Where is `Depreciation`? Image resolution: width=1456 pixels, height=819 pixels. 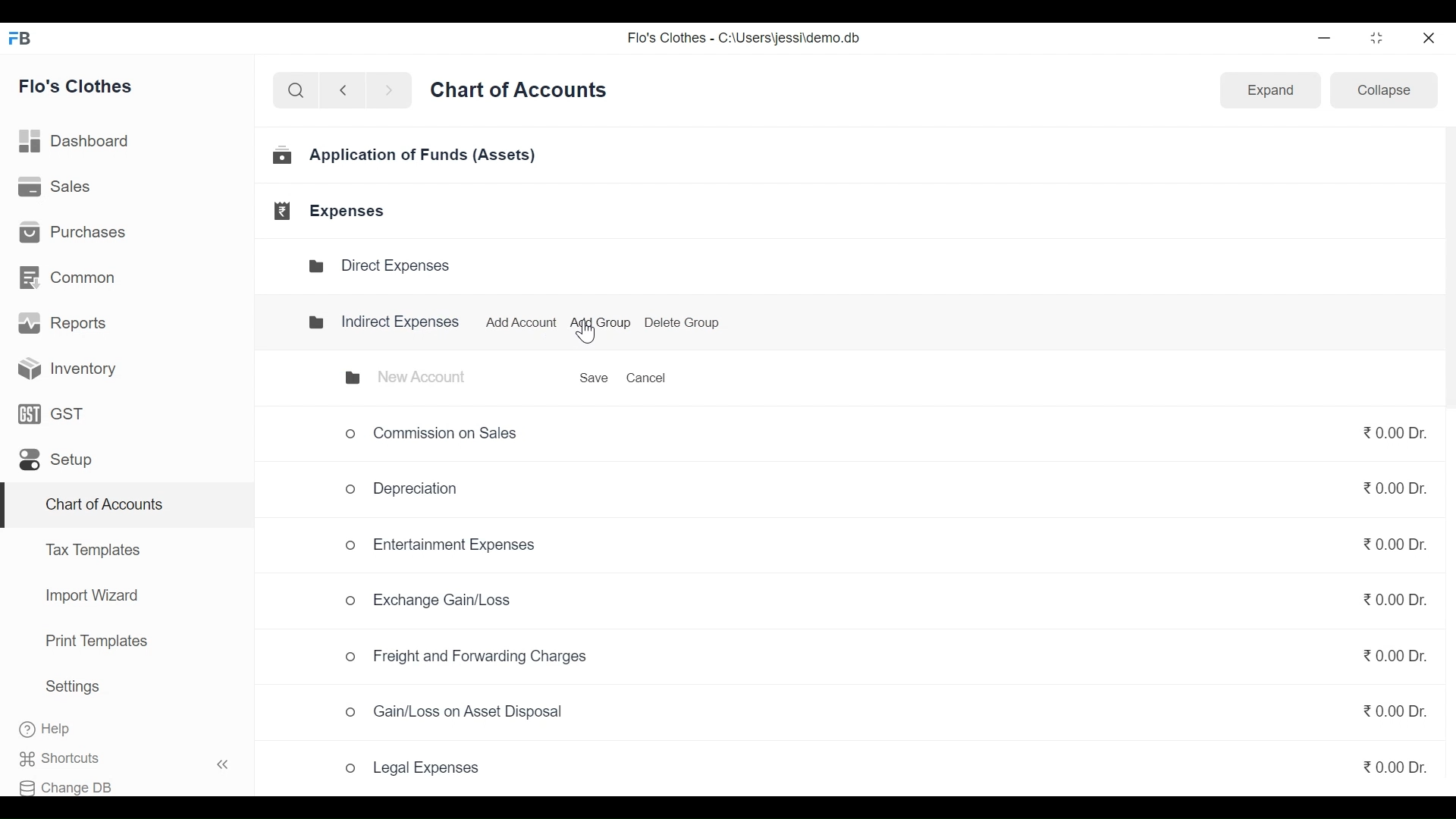
Depreciation is located at coordinates (408, 492).